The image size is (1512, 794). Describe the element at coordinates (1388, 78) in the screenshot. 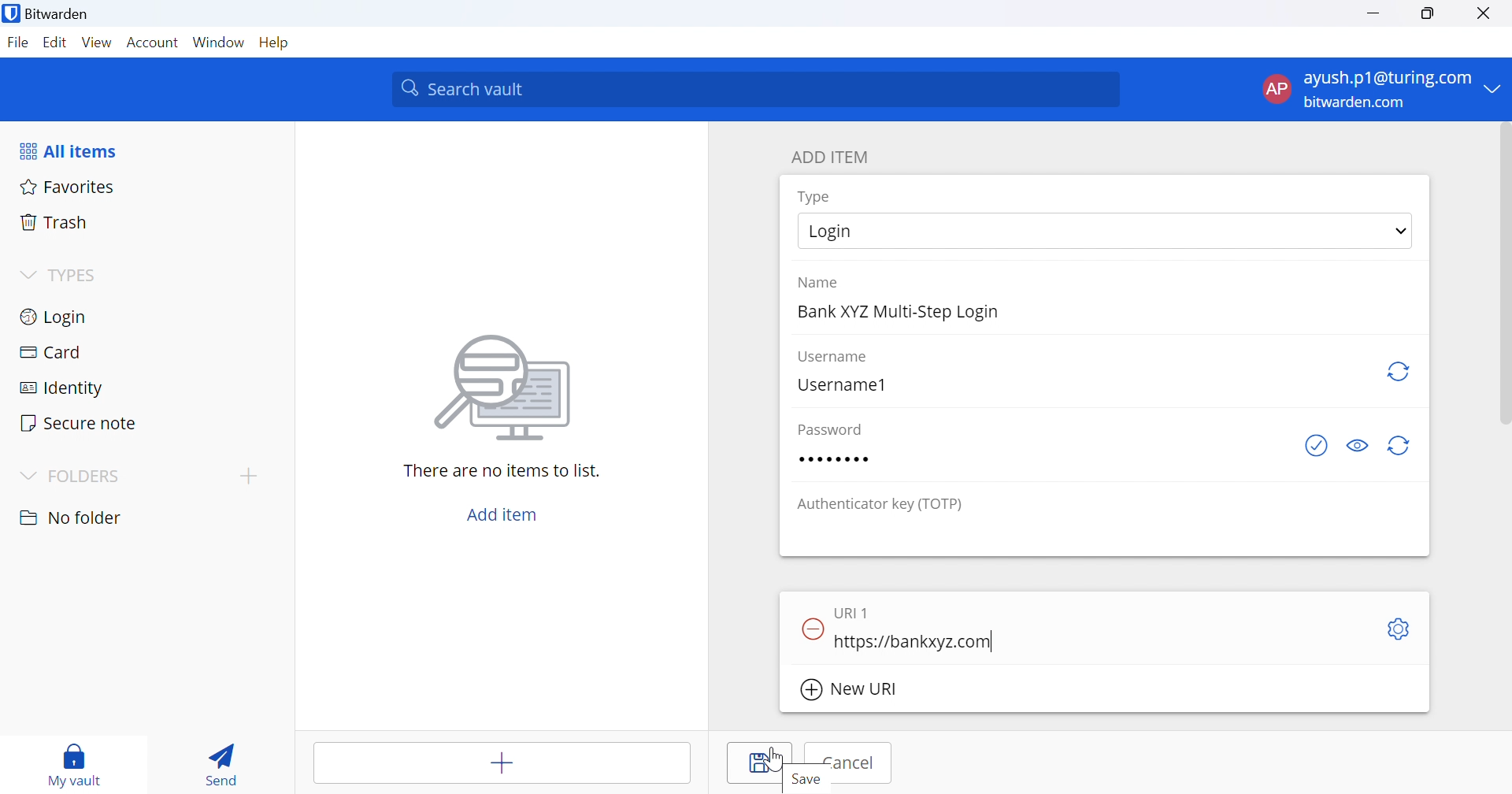

I see `ayush.p1@turing.com` at that location.